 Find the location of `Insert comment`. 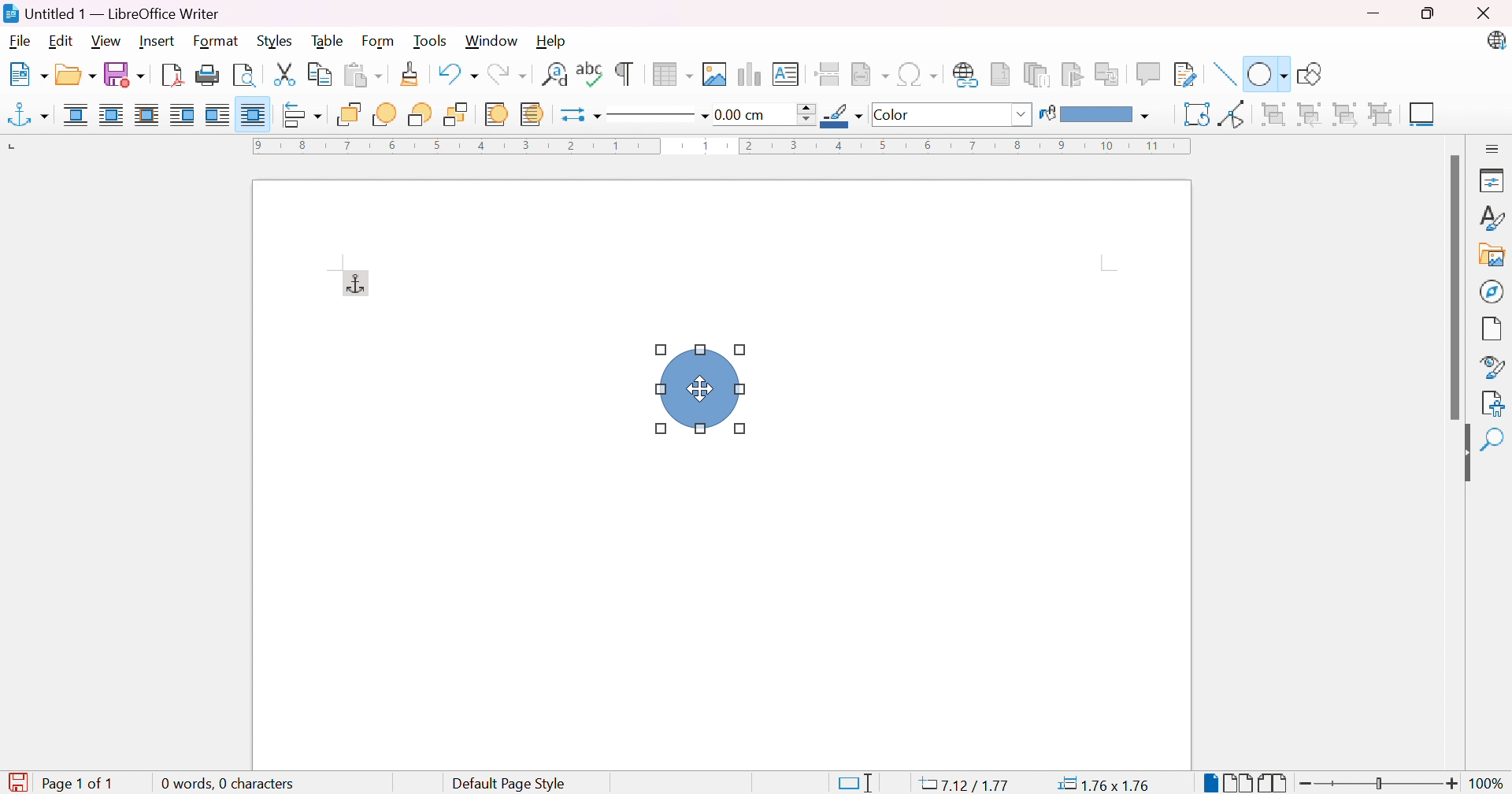

Insert comment is located at coordinates (1151, 73).